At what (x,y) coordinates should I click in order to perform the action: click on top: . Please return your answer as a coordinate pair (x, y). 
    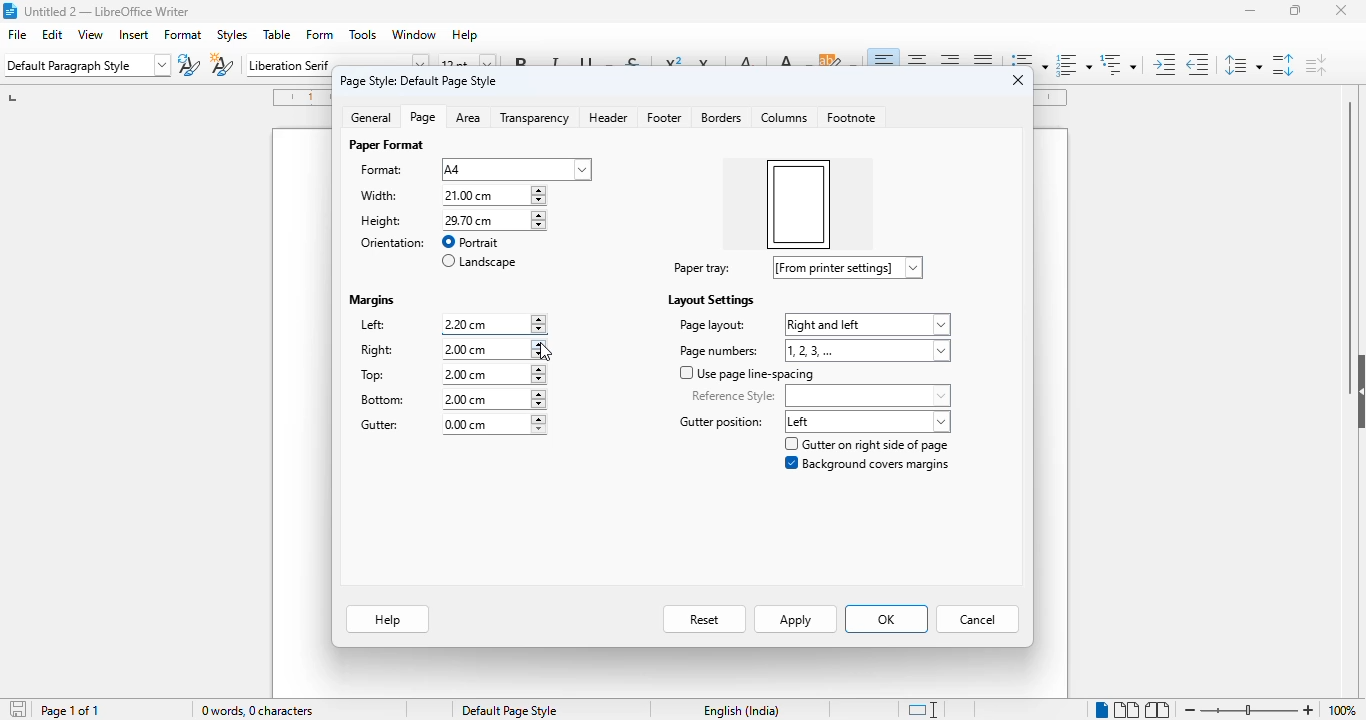
    Looking at the image, I should click on (372, 375).